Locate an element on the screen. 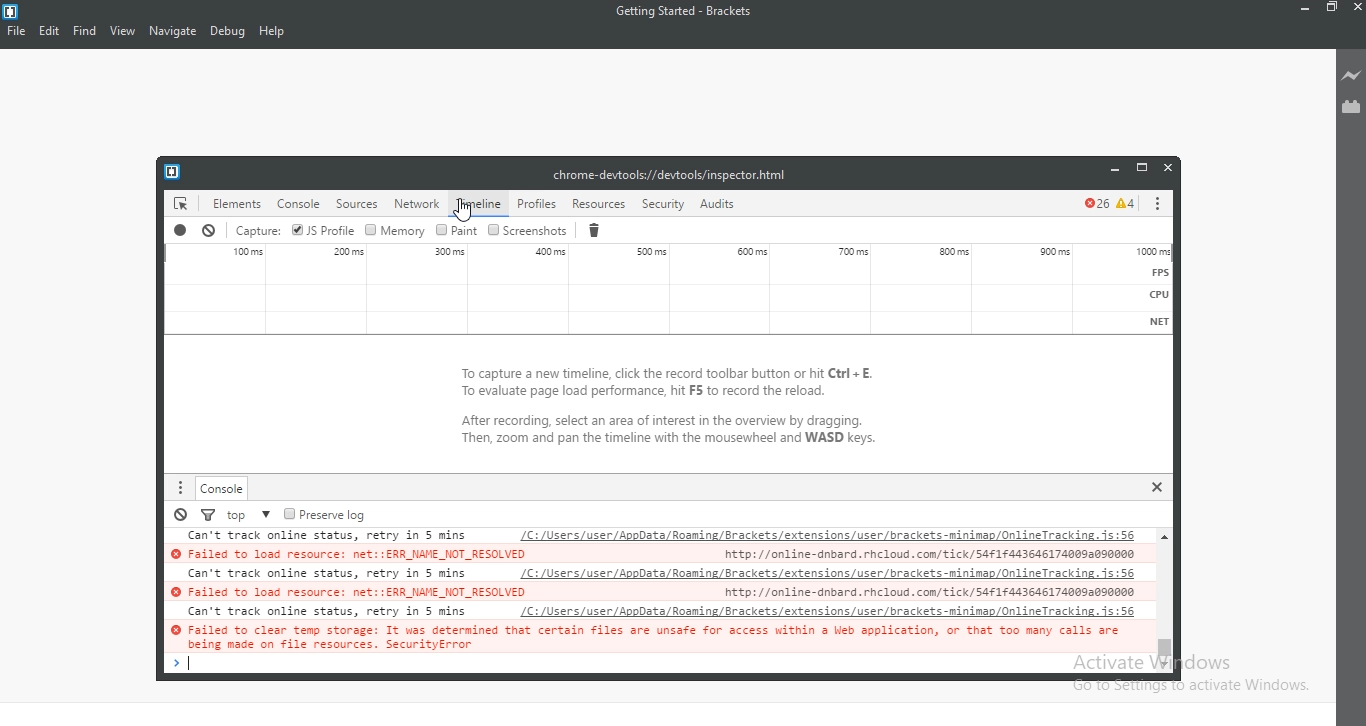 Image resolution: width=1366 pixels, height=726 pixels. File is located at coordinates (18, 31).